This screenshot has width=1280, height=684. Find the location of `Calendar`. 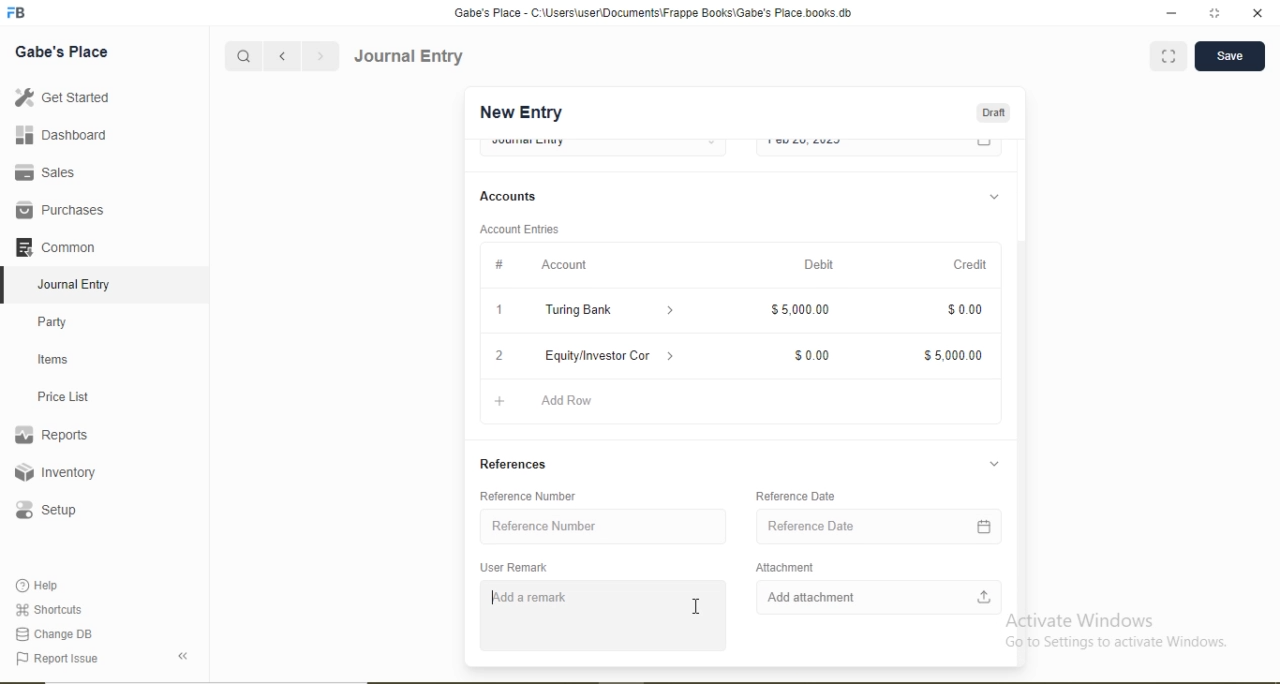

Calendar is located at coordinates (985, 527).